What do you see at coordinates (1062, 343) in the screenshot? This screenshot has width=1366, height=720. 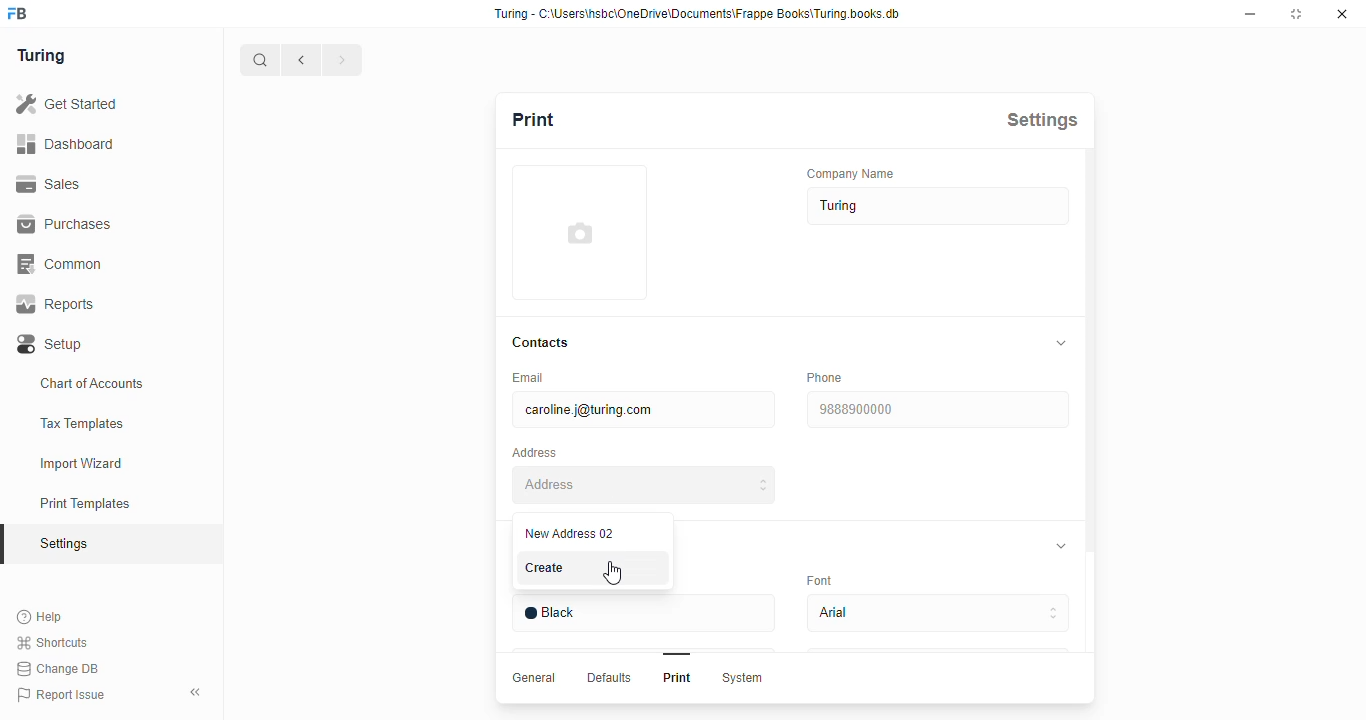 I see `toggle expand/collapse` at bounding box center [1062, 343].